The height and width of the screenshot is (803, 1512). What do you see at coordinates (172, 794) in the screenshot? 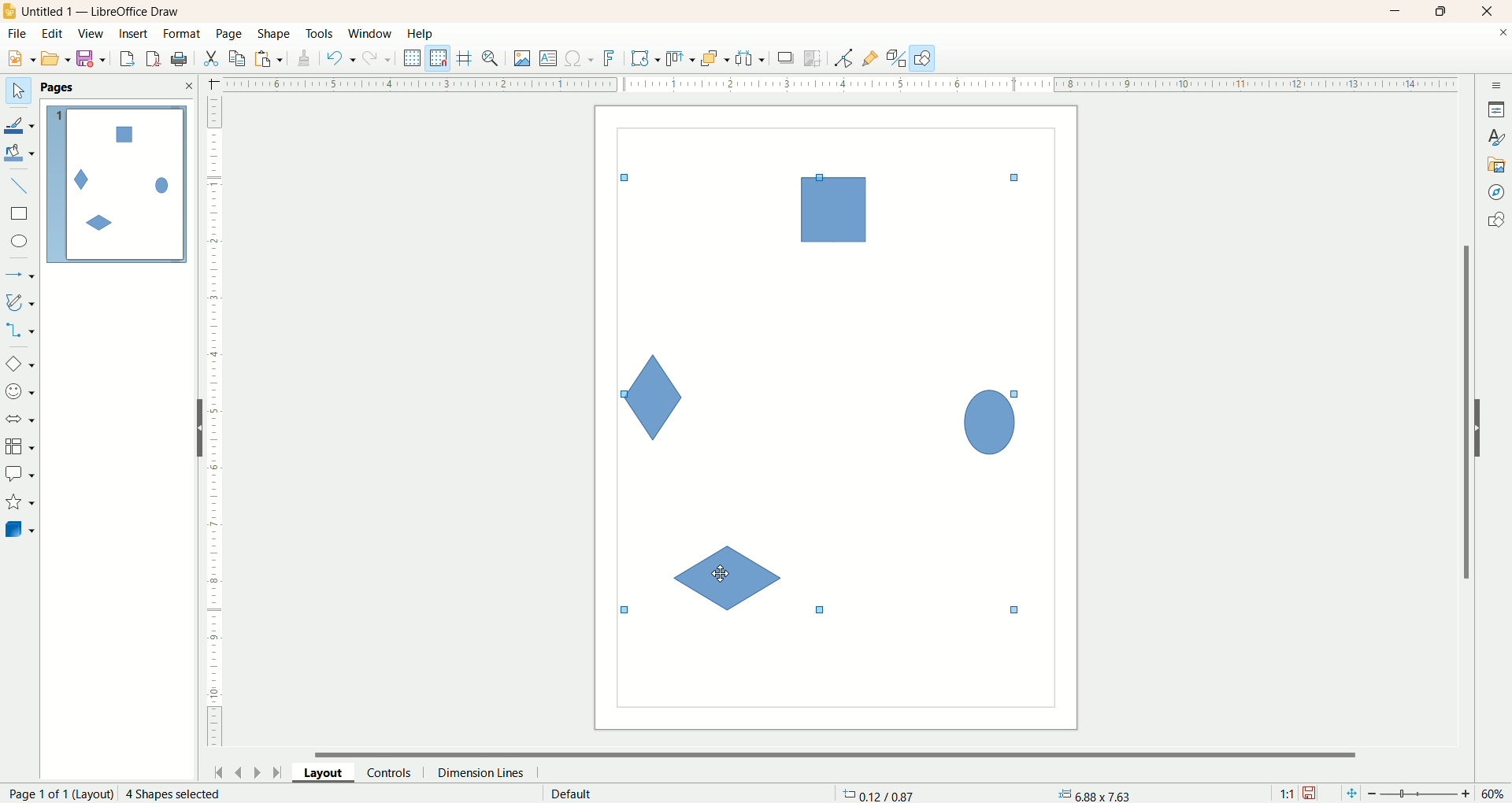
I see `2 Shape selected` at bounding box center [172, 794].